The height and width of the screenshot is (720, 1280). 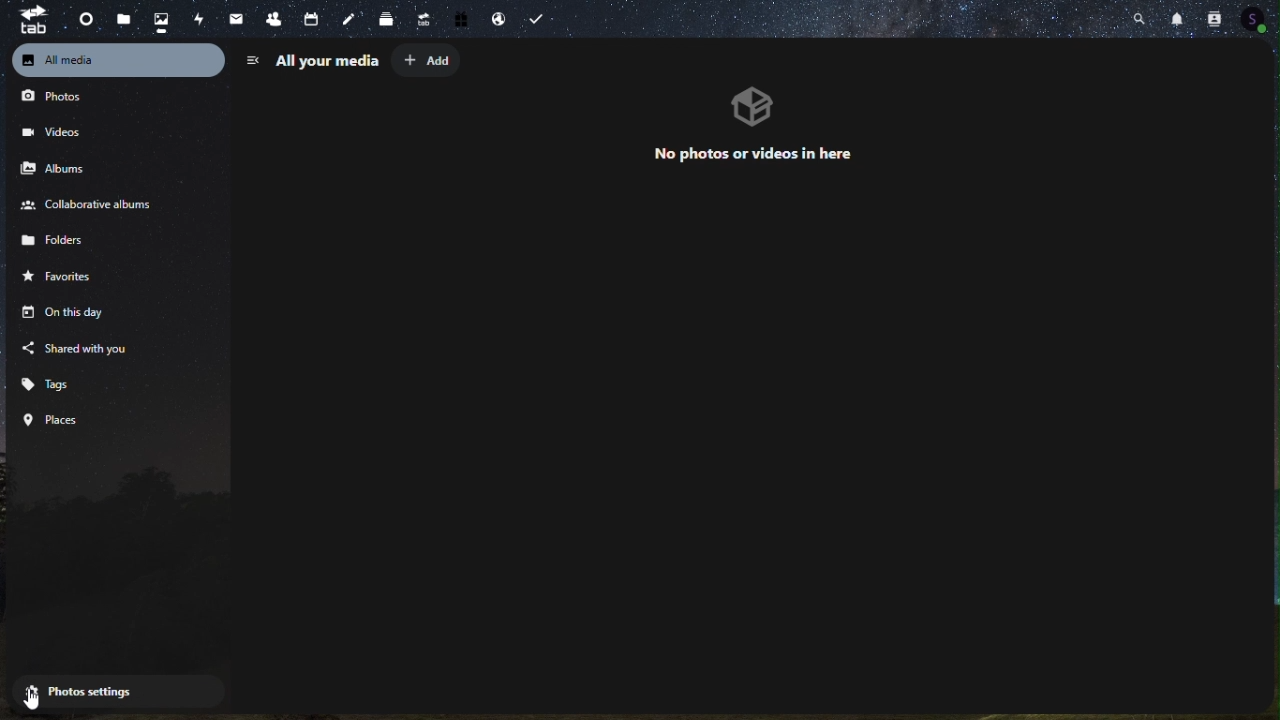 I want to click on Favourite, so click(x=72, y=281).